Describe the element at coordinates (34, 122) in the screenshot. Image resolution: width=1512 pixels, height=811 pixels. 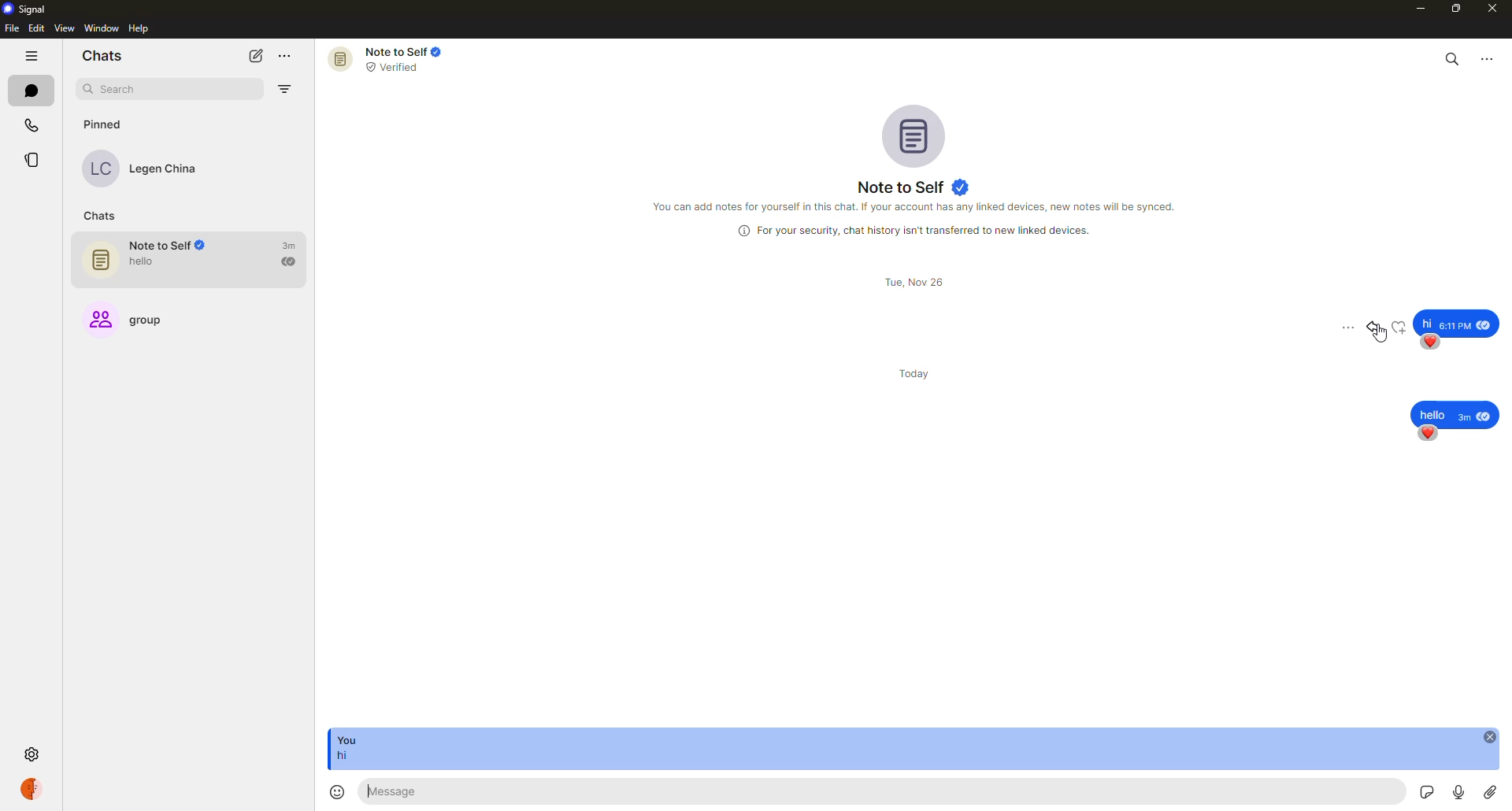
I see `calls` at that location.